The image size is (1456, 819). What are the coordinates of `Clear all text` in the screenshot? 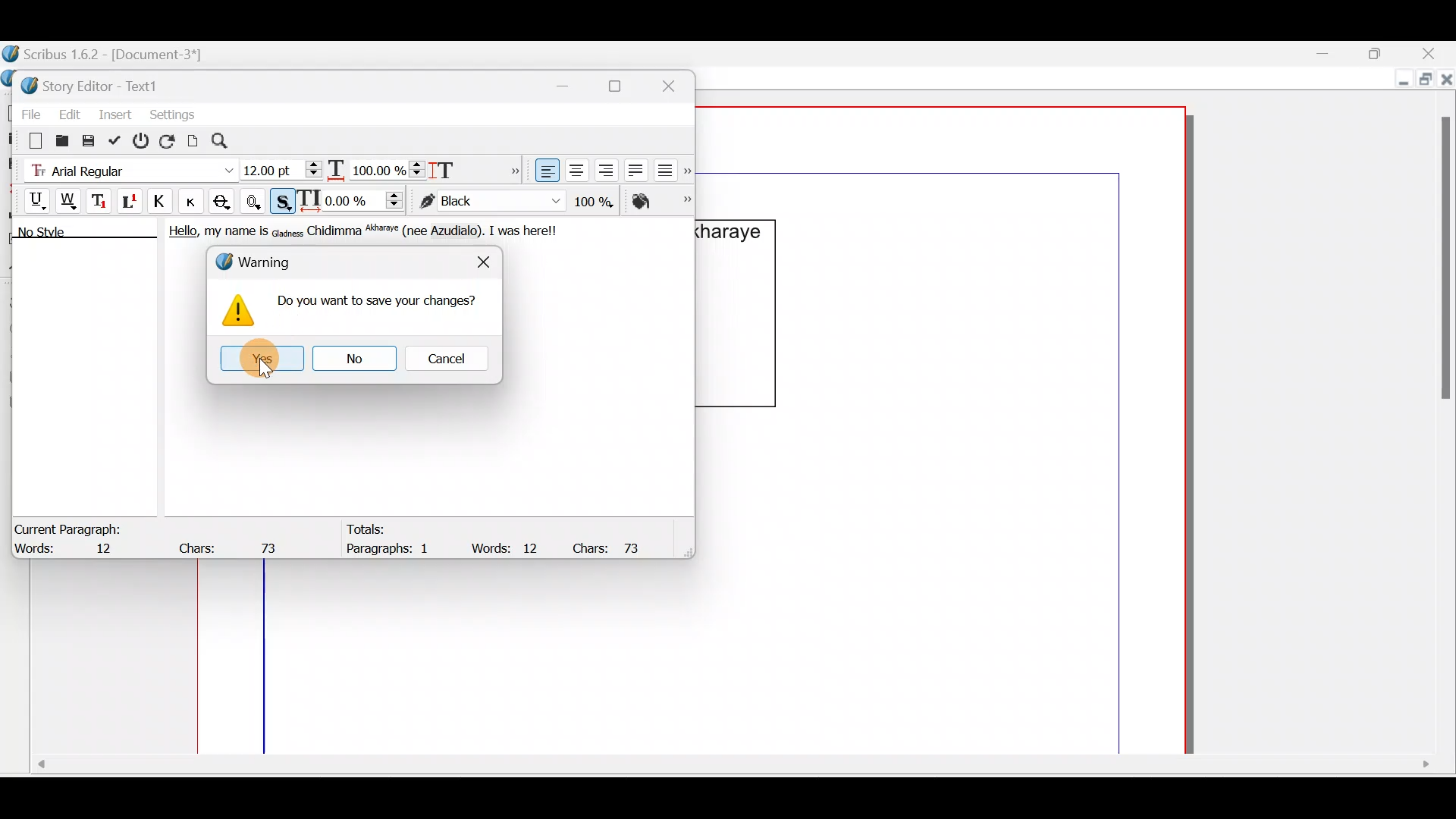 It's located at (28, 140).